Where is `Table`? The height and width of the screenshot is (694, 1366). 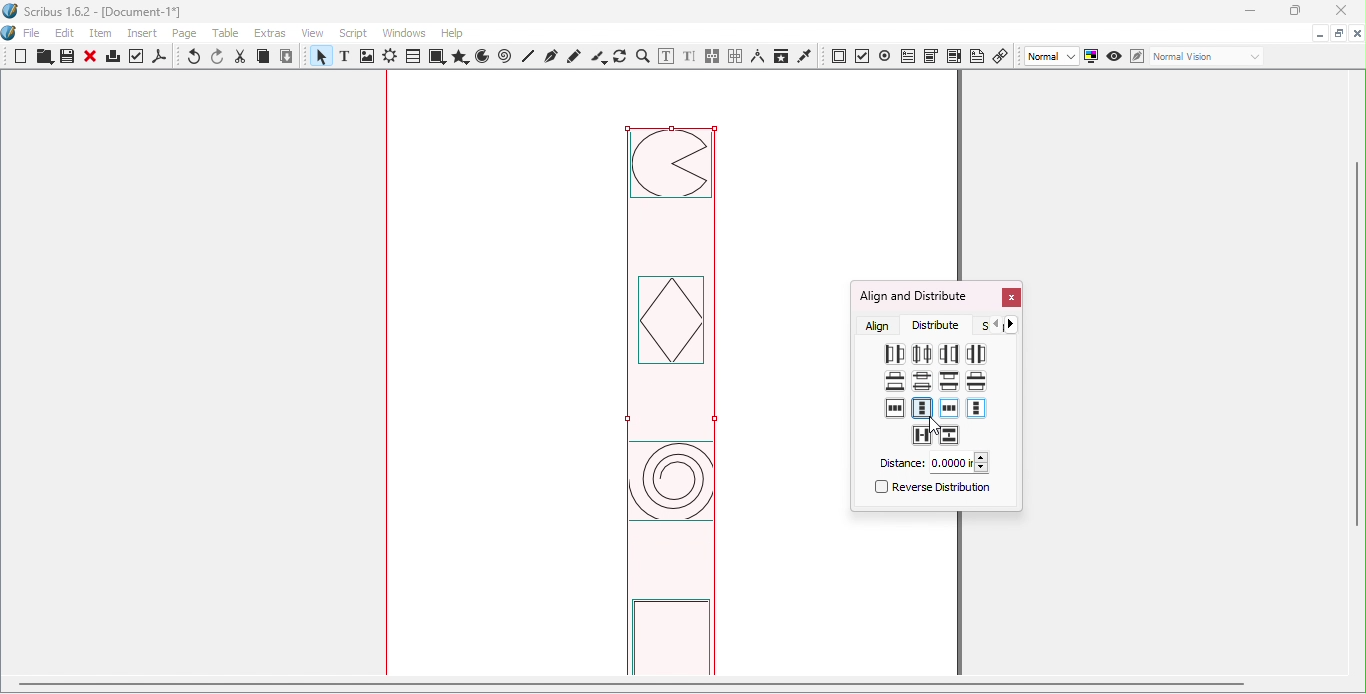 Table is located at coordinates (412, 57).